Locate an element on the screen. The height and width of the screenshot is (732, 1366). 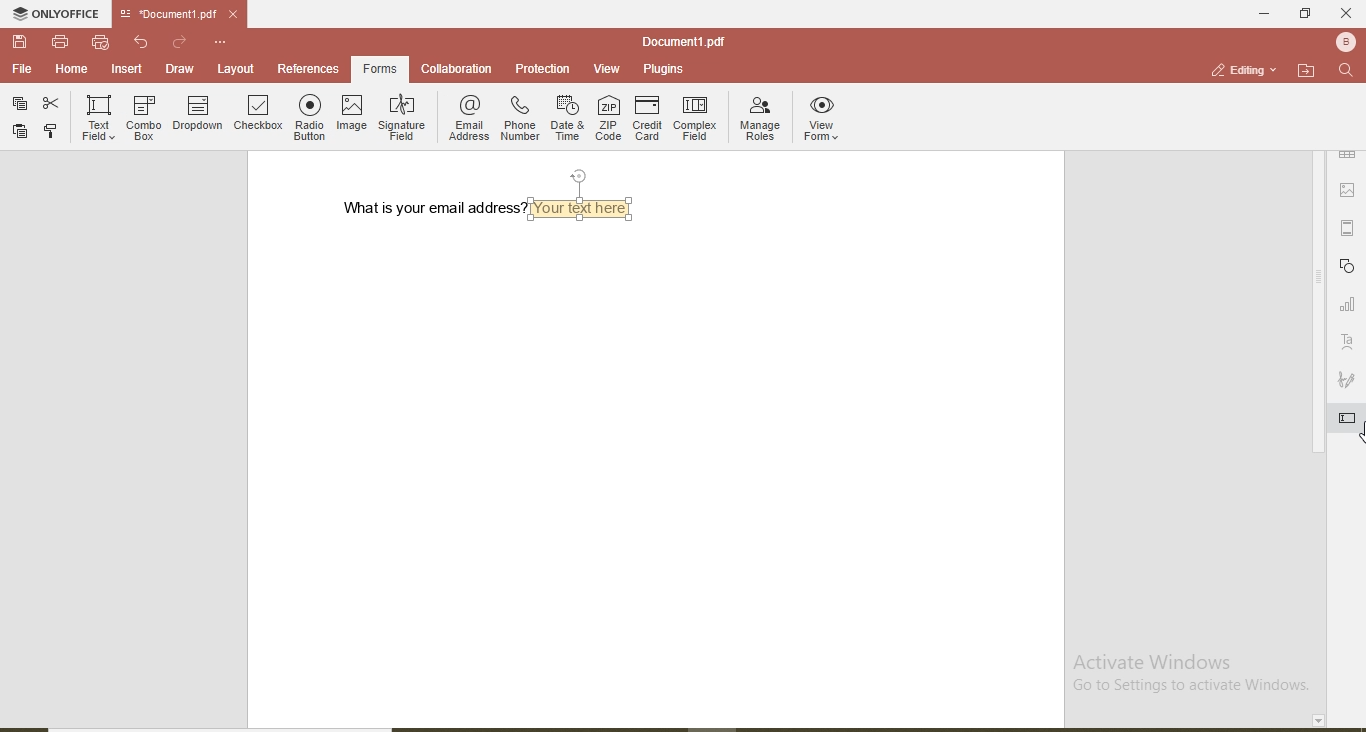
references is located at coordinates (308, 68).